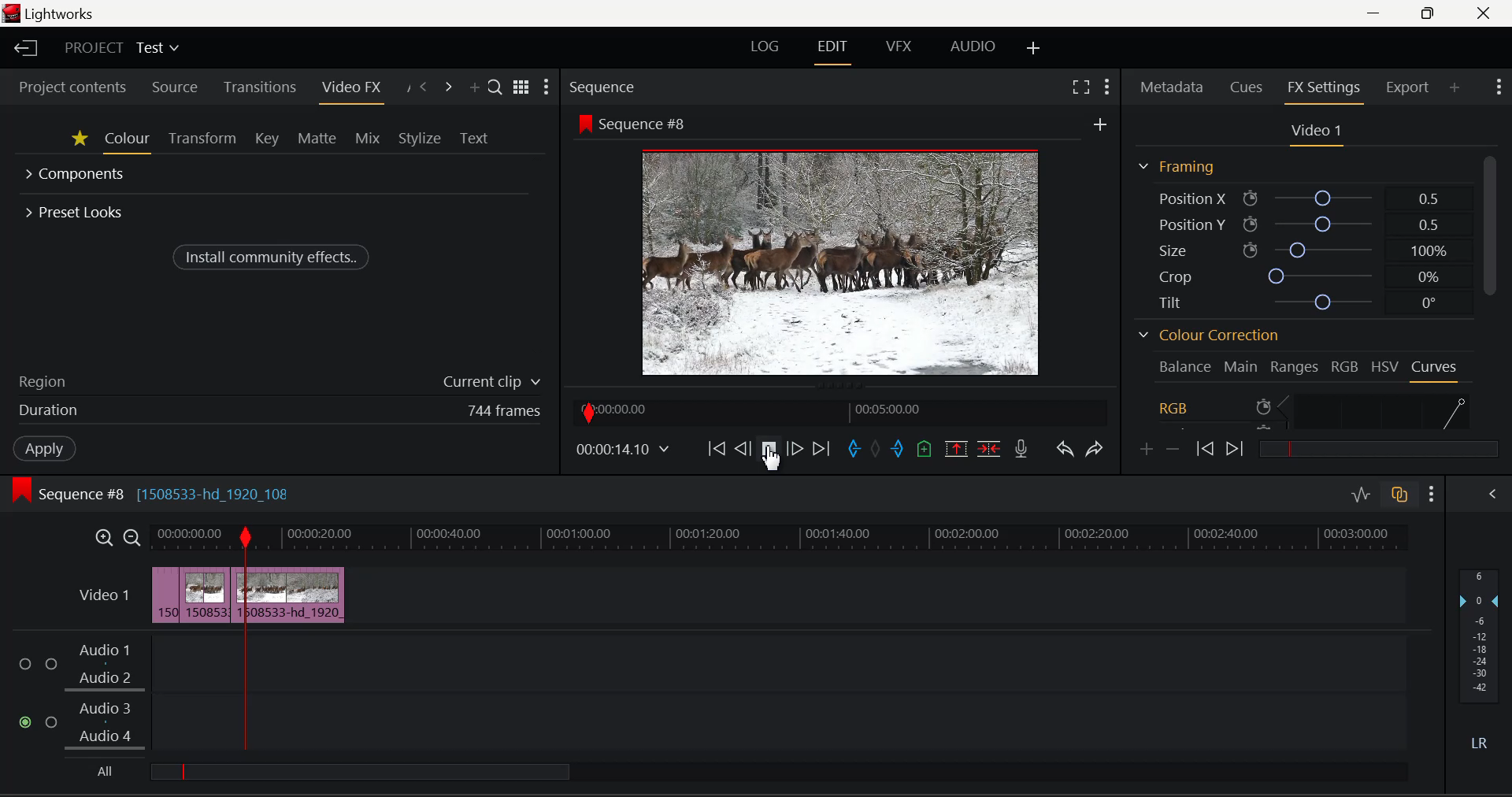 The width and height of the screenshot is (1512, 797). What do you see at coordinates (280, 411) in the screenshot?
I see `Frame Duration` at bounding box center [280, 411].